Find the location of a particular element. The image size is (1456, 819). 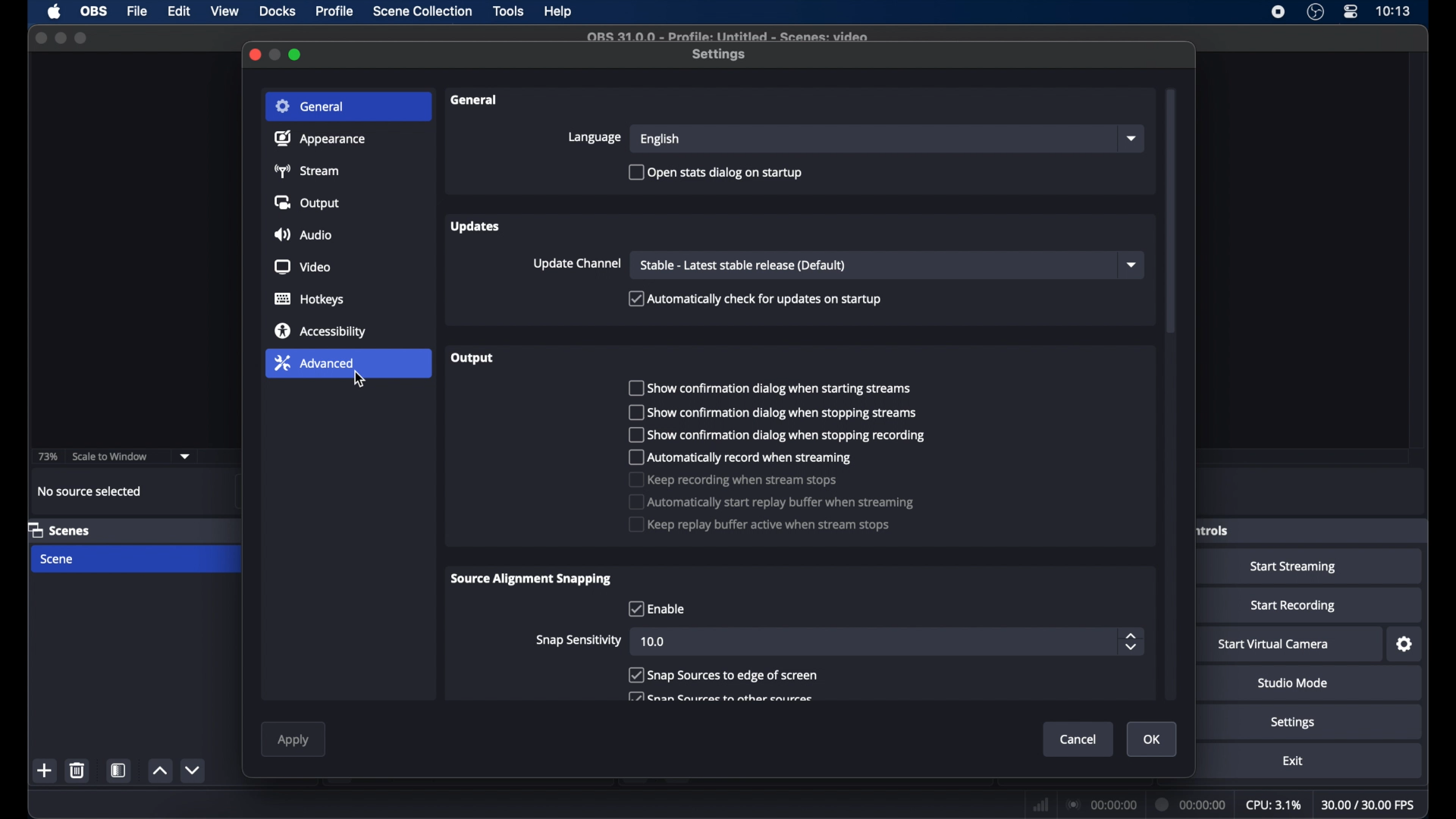

obscure labels is located at coordinates (1212, 529).